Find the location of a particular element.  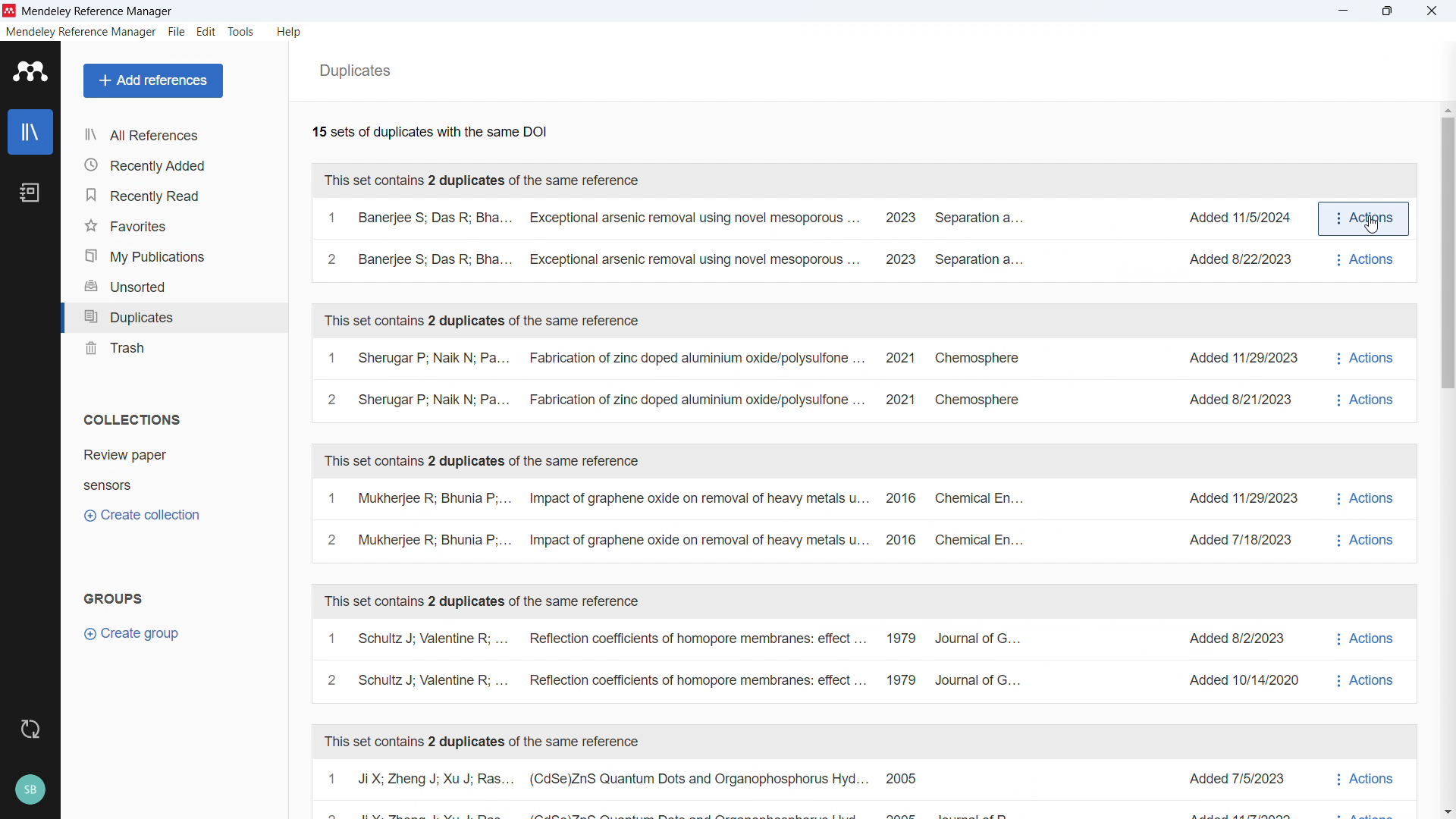

Unsorted  is located at coordinates (173, 286).